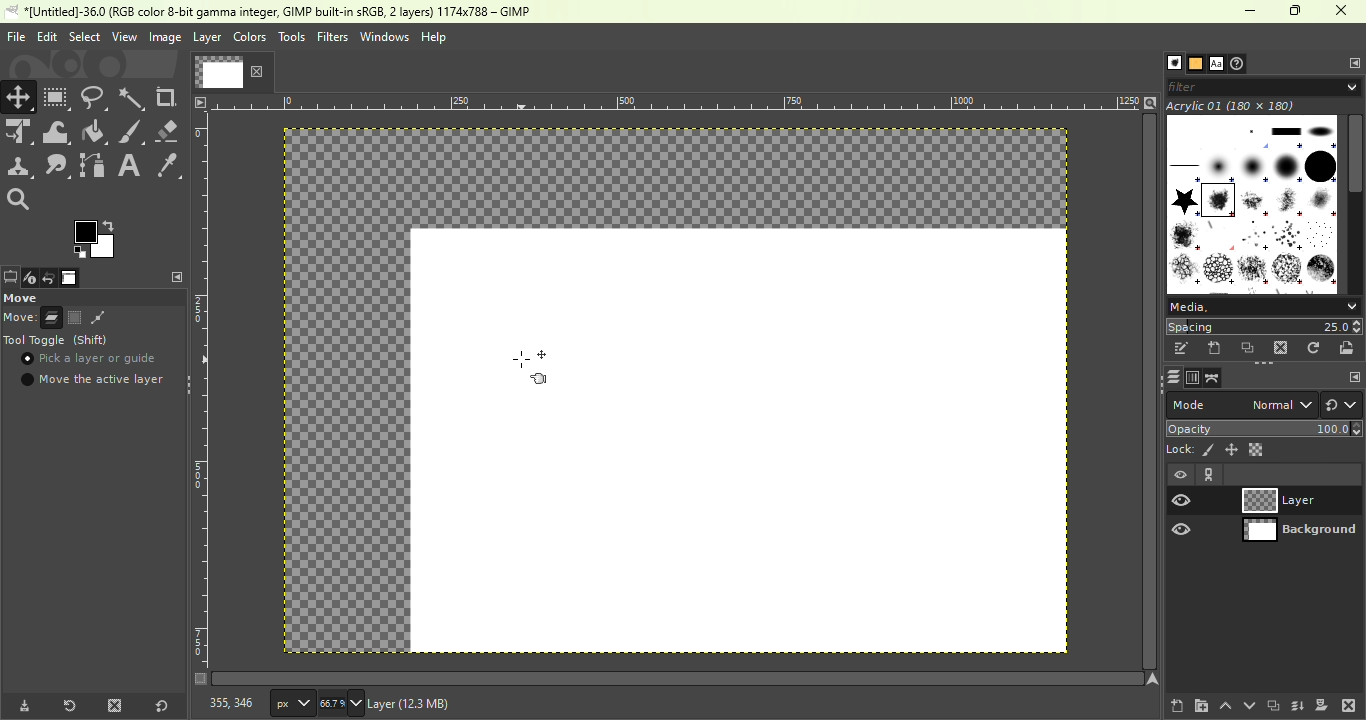 The image size is (1366, 720). What do you see at coordinates (1349, 376) in the screenshot?
I see `Configure this tab` at bounding box center [1349, 376].